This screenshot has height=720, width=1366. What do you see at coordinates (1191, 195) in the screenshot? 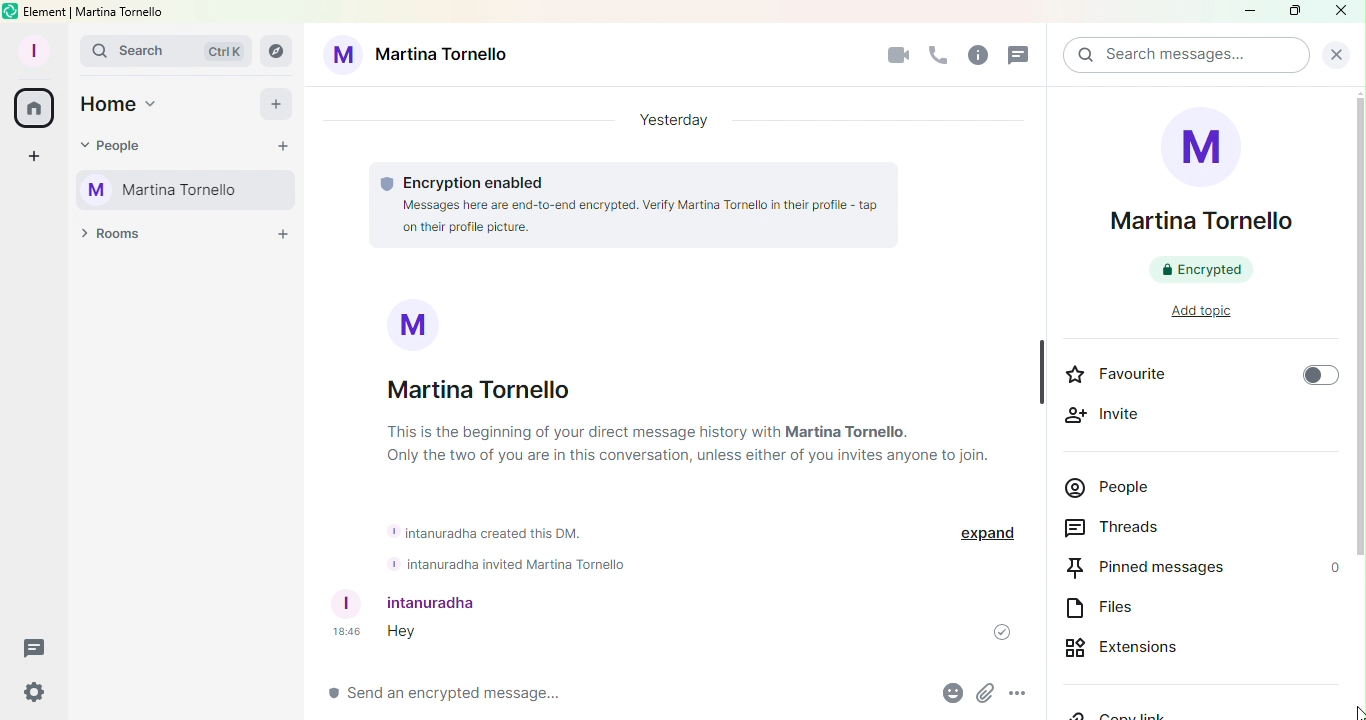
I see `Martina Tornello` at bounding box center [1191, 195].